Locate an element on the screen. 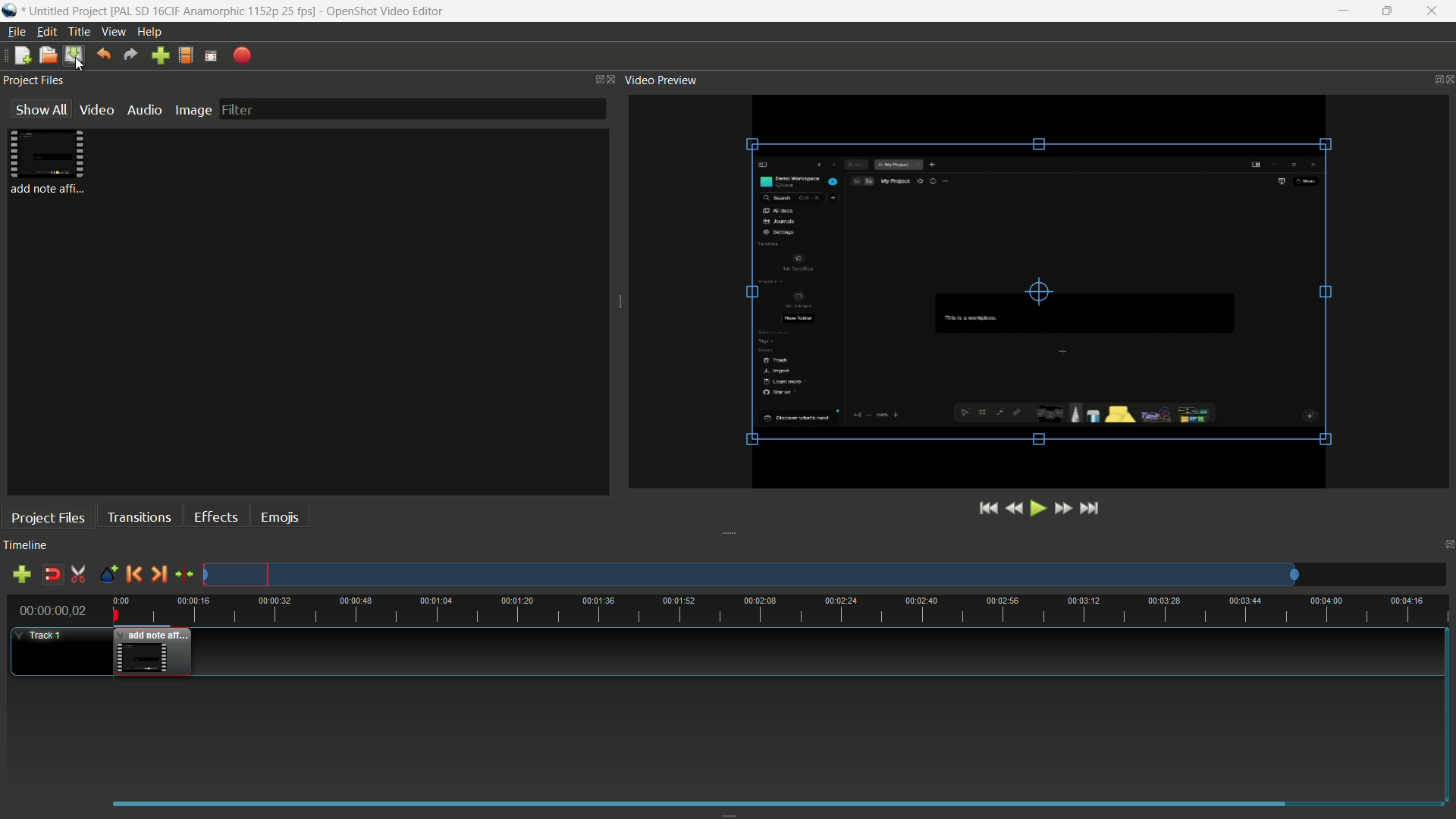 This screenshot has width=1456, height=819. new file is located at coordinates (21, 55).